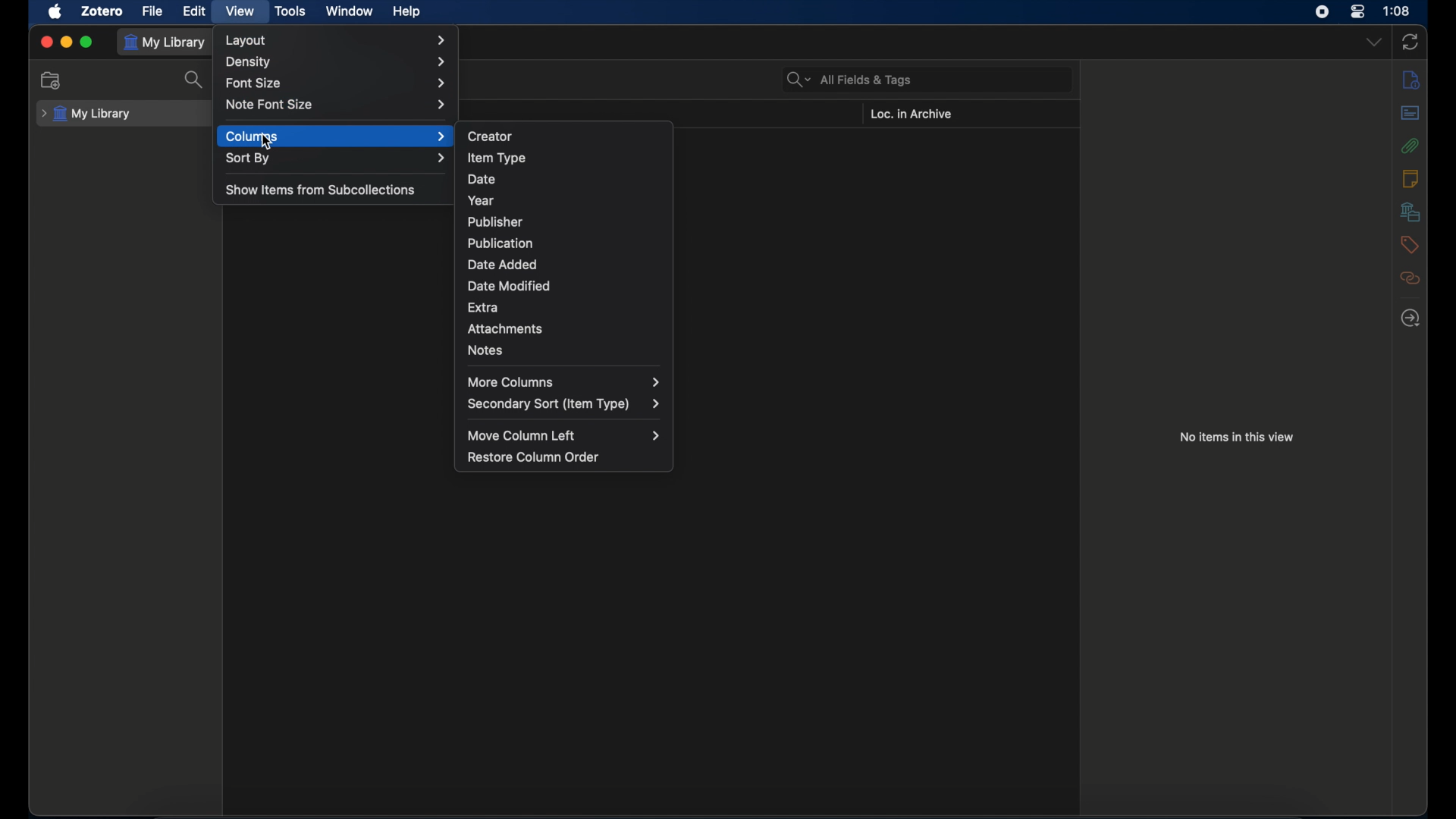 This screenshot has width=1456, height=819. I want to click on related, so click(1411, 278).